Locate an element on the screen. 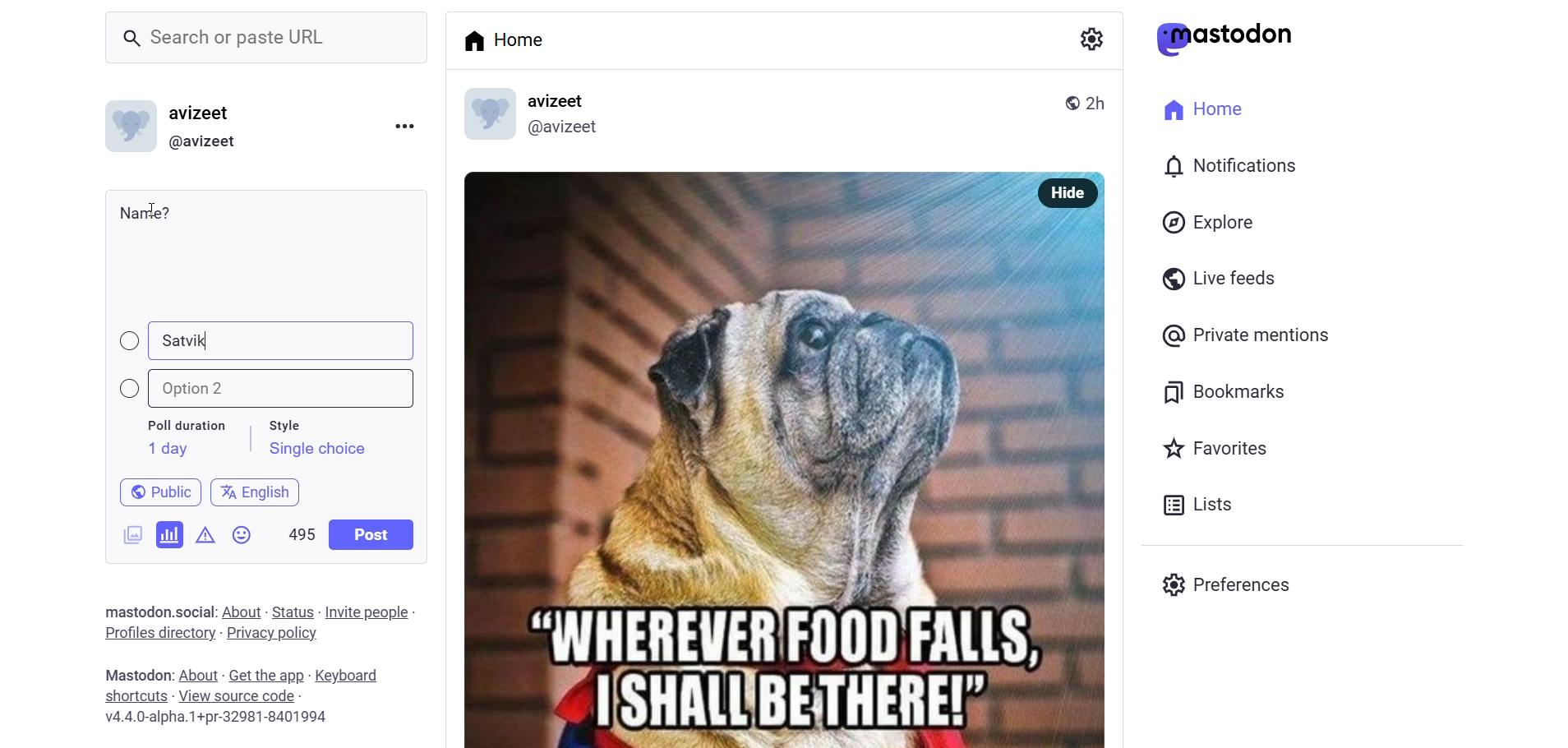 The height and width of the screenshot is (748, 1568). live feed is located at coordinates (1215, 277).